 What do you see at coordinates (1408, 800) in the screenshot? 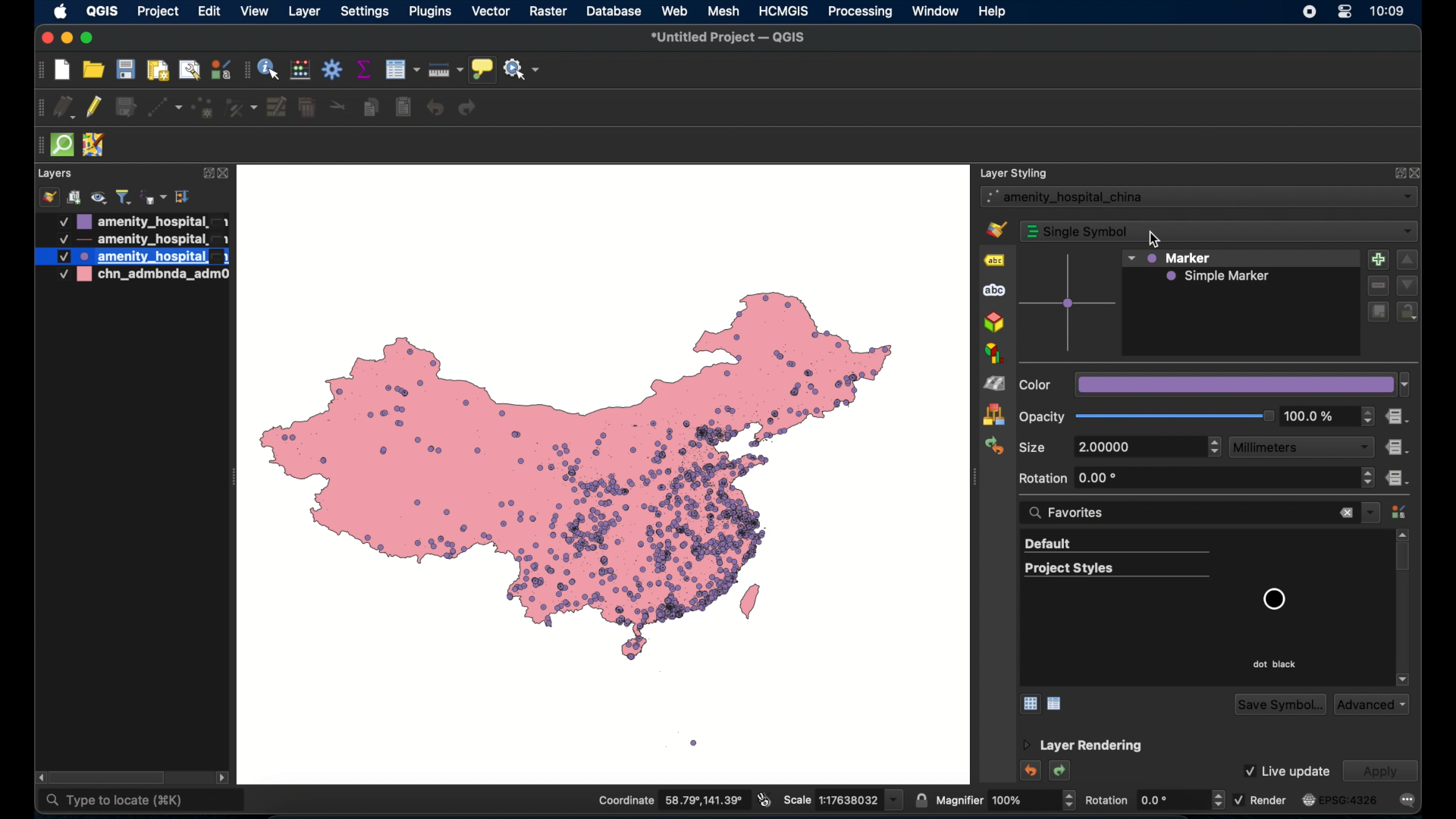
I see `messages` at bounding box center [1408, 800].